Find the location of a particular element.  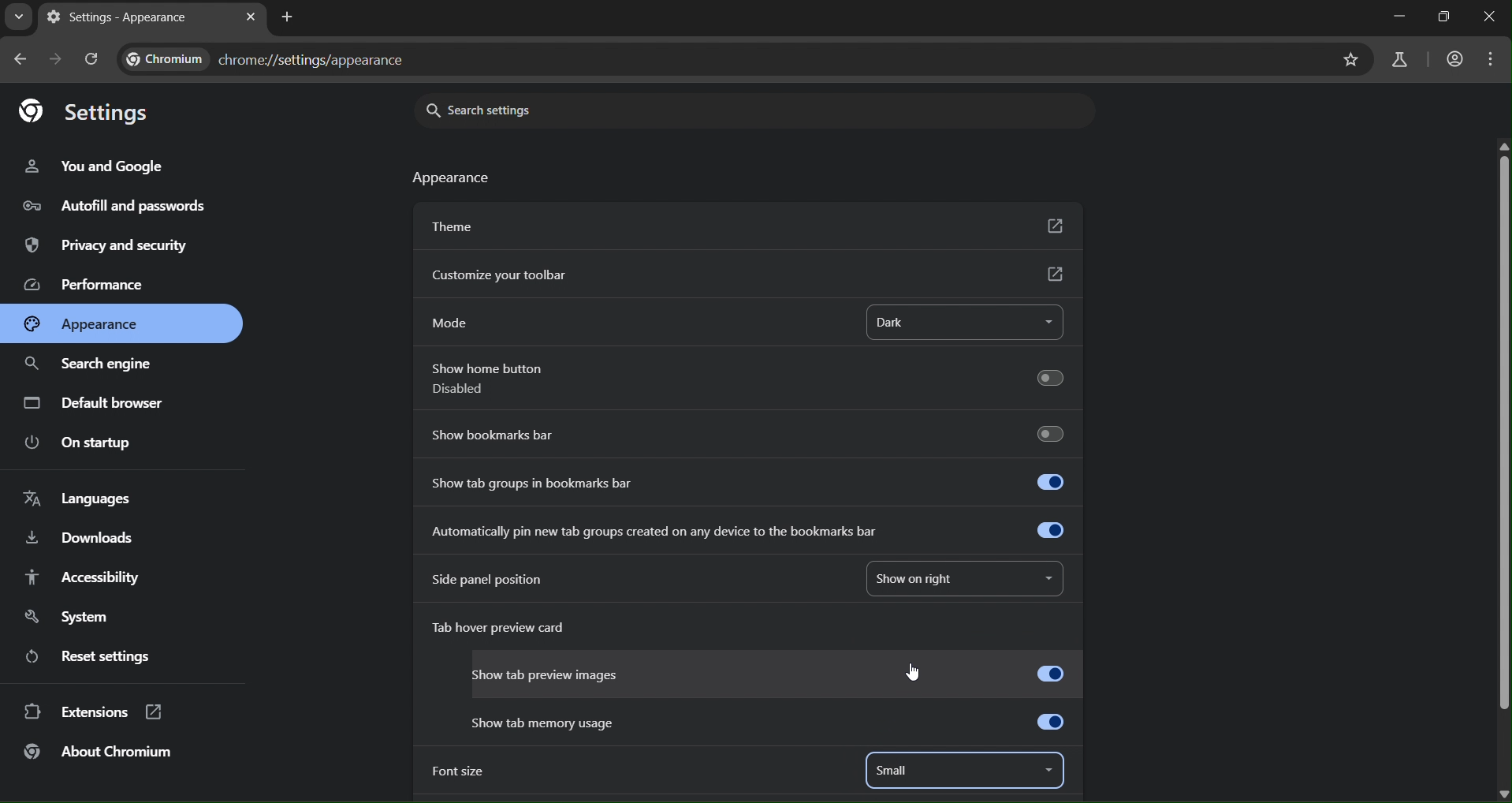

reload page is located at coordinates (94, 60).